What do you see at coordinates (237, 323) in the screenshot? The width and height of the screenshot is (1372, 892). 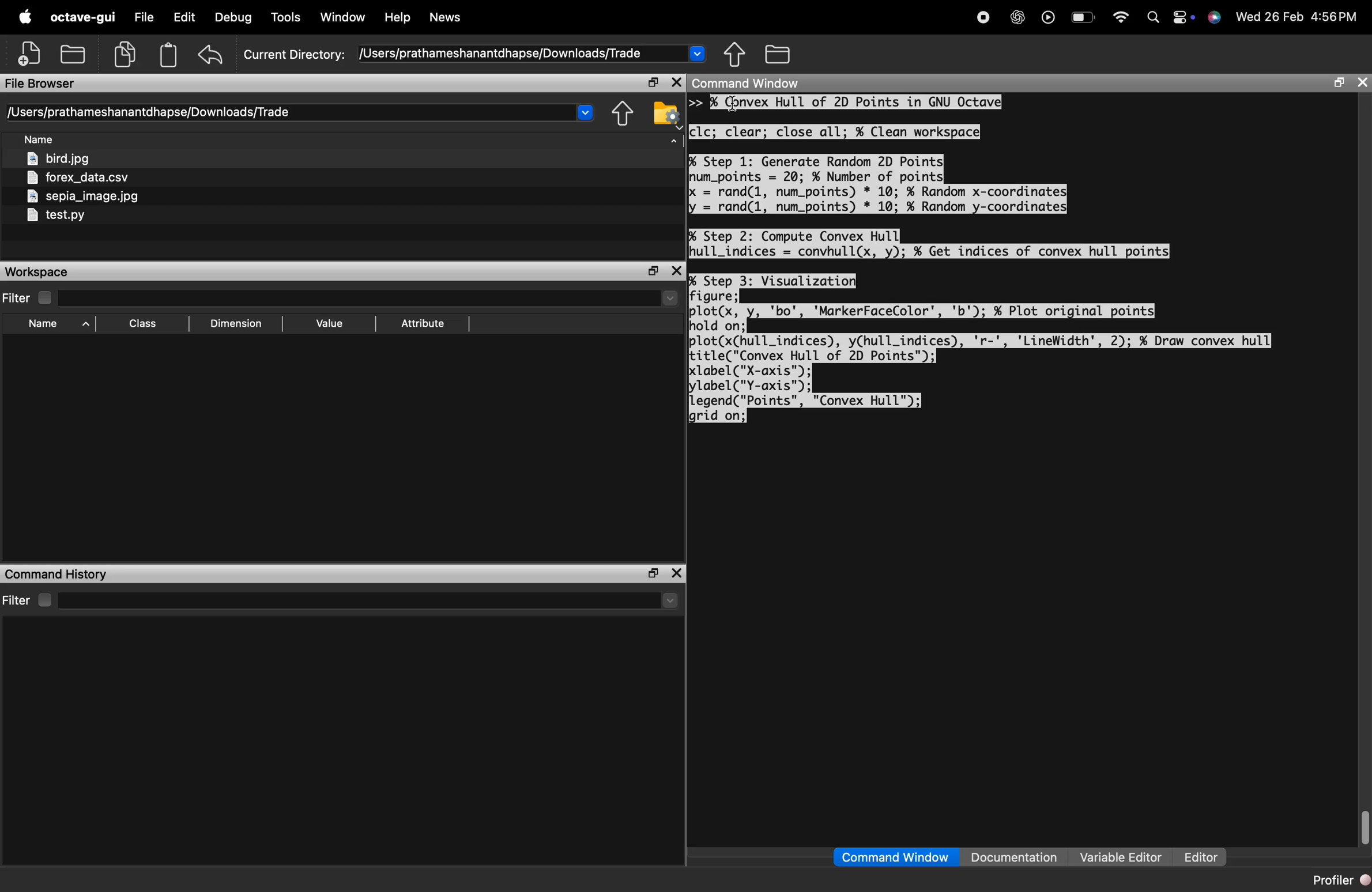 I see `Dimension` at bounding box center [237, 323].